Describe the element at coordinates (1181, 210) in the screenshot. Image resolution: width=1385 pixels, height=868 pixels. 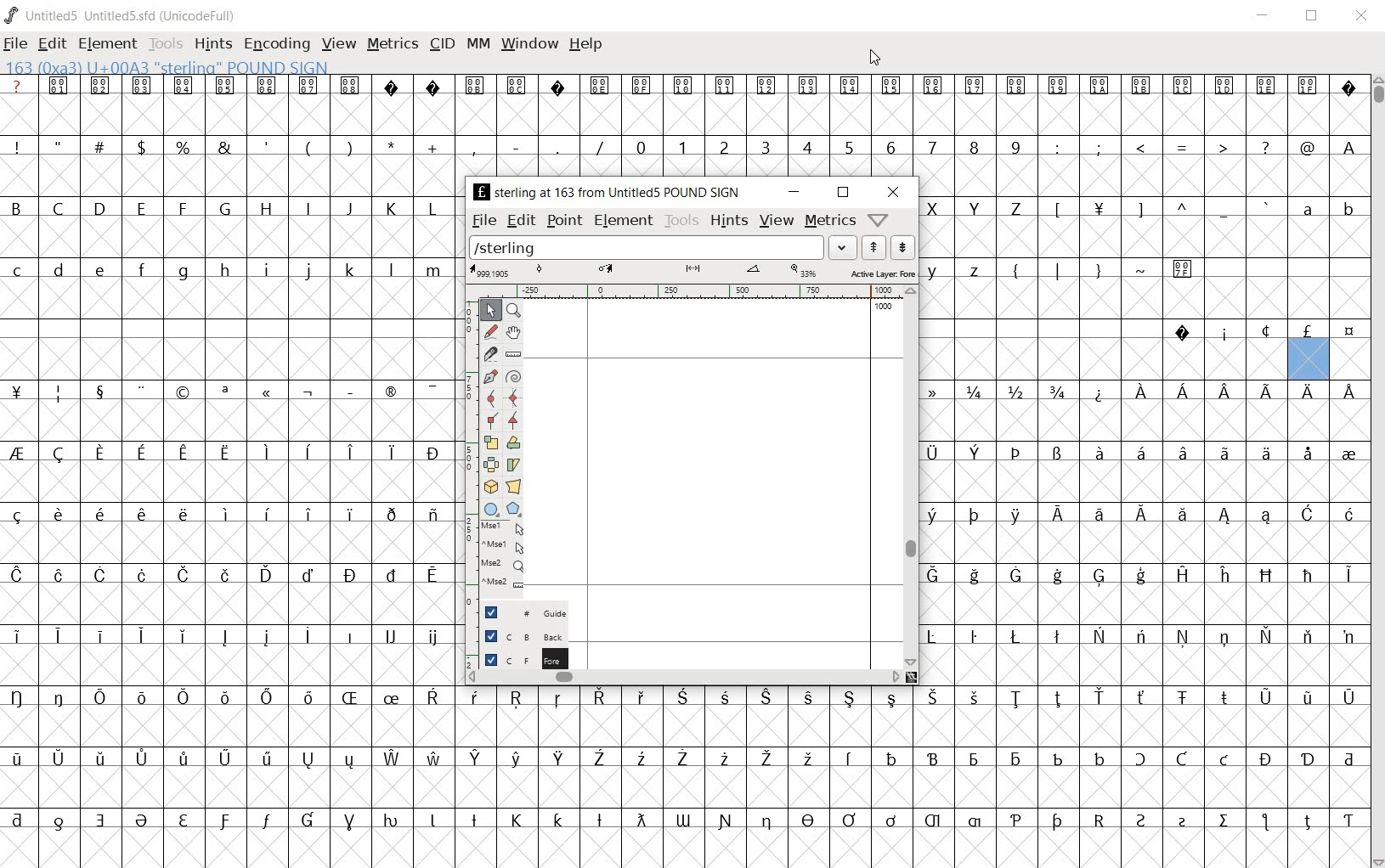
I see `^` at that location.